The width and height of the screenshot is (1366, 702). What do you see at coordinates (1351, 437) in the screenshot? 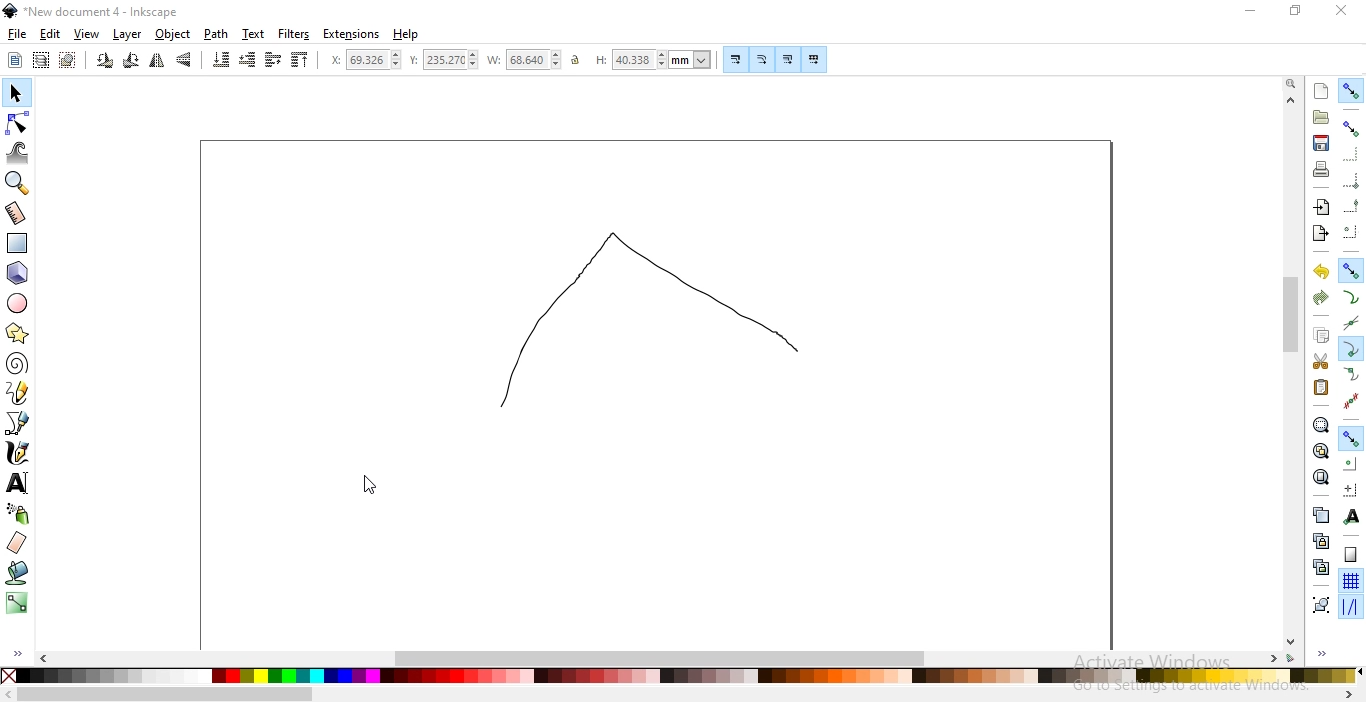
I see `snap other points` at bounding box center [1351, 437].